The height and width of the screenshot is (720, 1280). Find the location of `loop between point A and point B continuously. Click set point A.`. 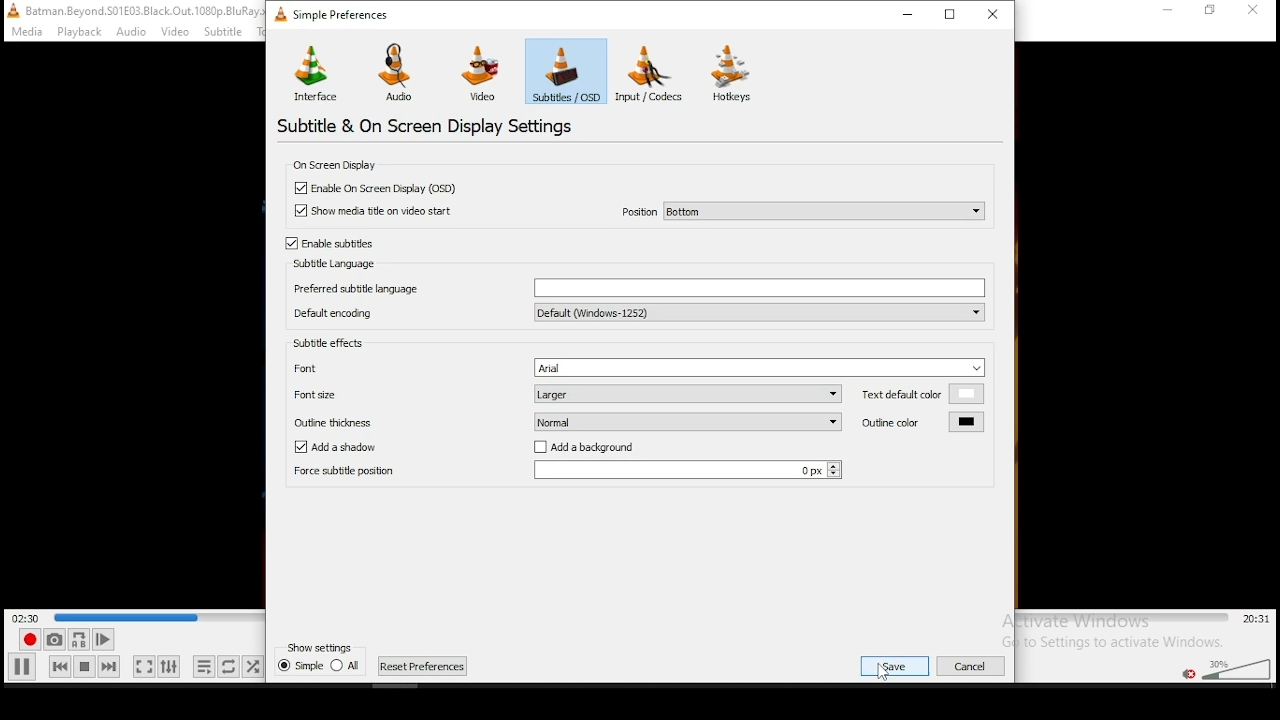

loop between point A and point B continuously. Click set point A. is located at coordinates (78, 640).